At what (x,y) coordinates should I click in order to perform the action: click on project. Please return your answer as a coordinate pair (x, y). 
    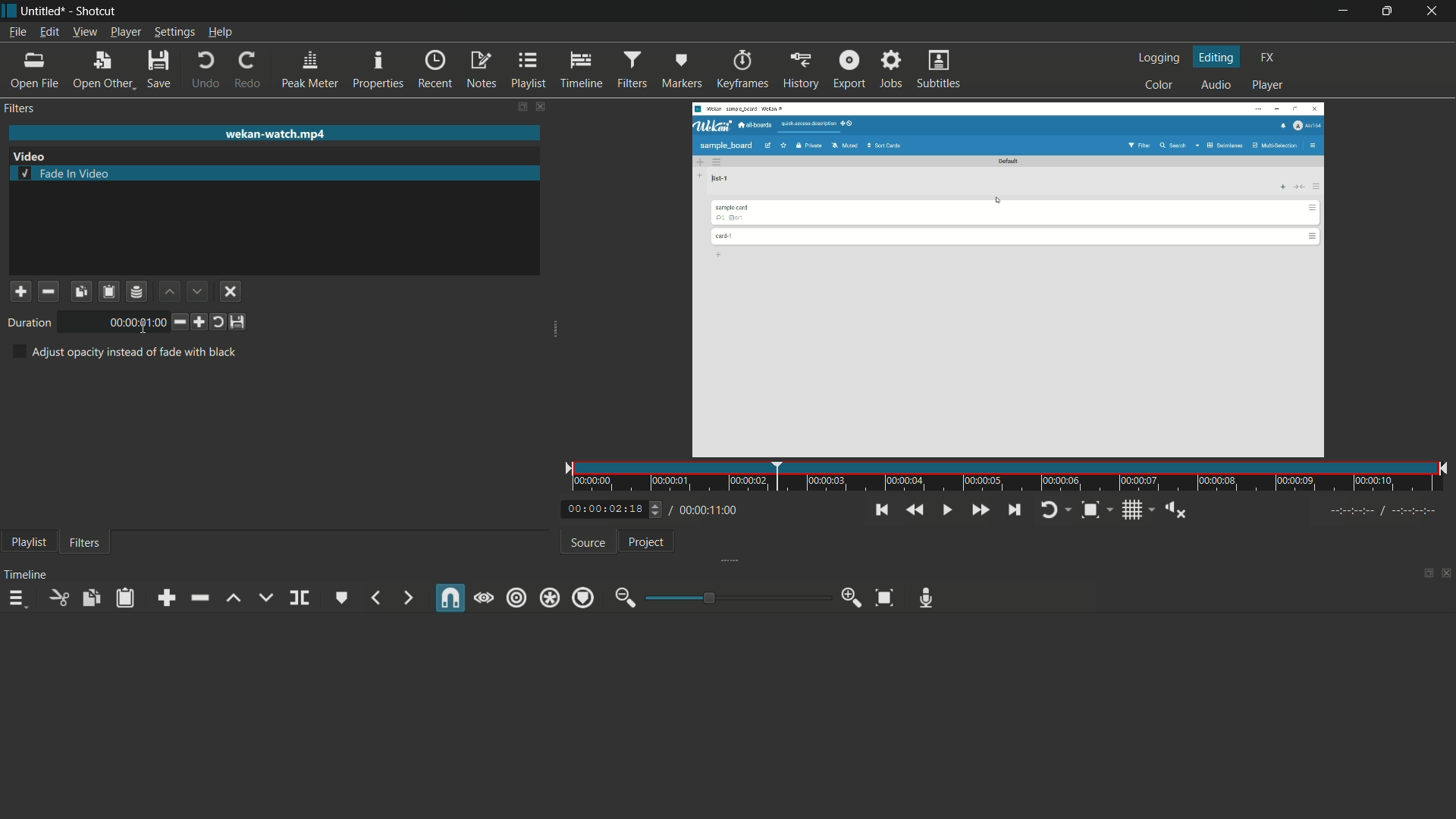
    Looking at the image, I should click on (648, 541).